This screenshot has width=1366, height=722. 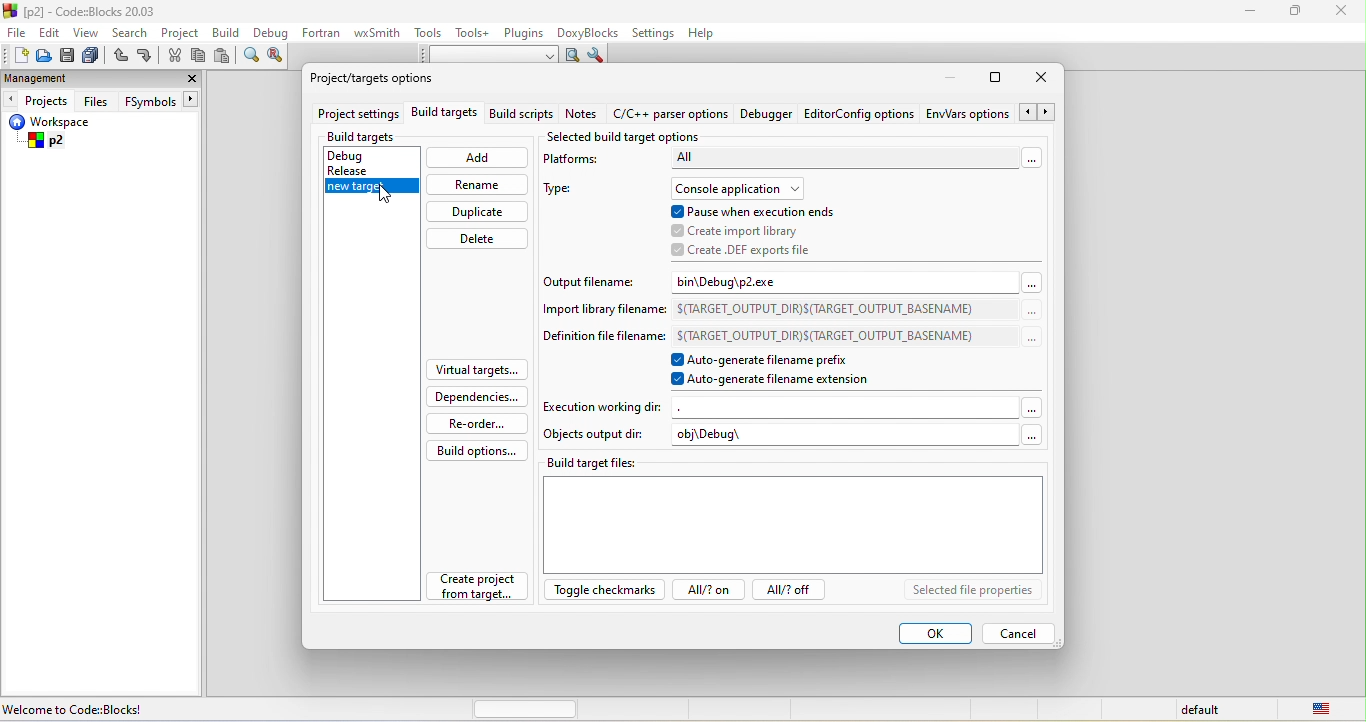 What do you see at coordinates (86, 33) in the screenshot?
I see `view` at bounding box center [86, 33].